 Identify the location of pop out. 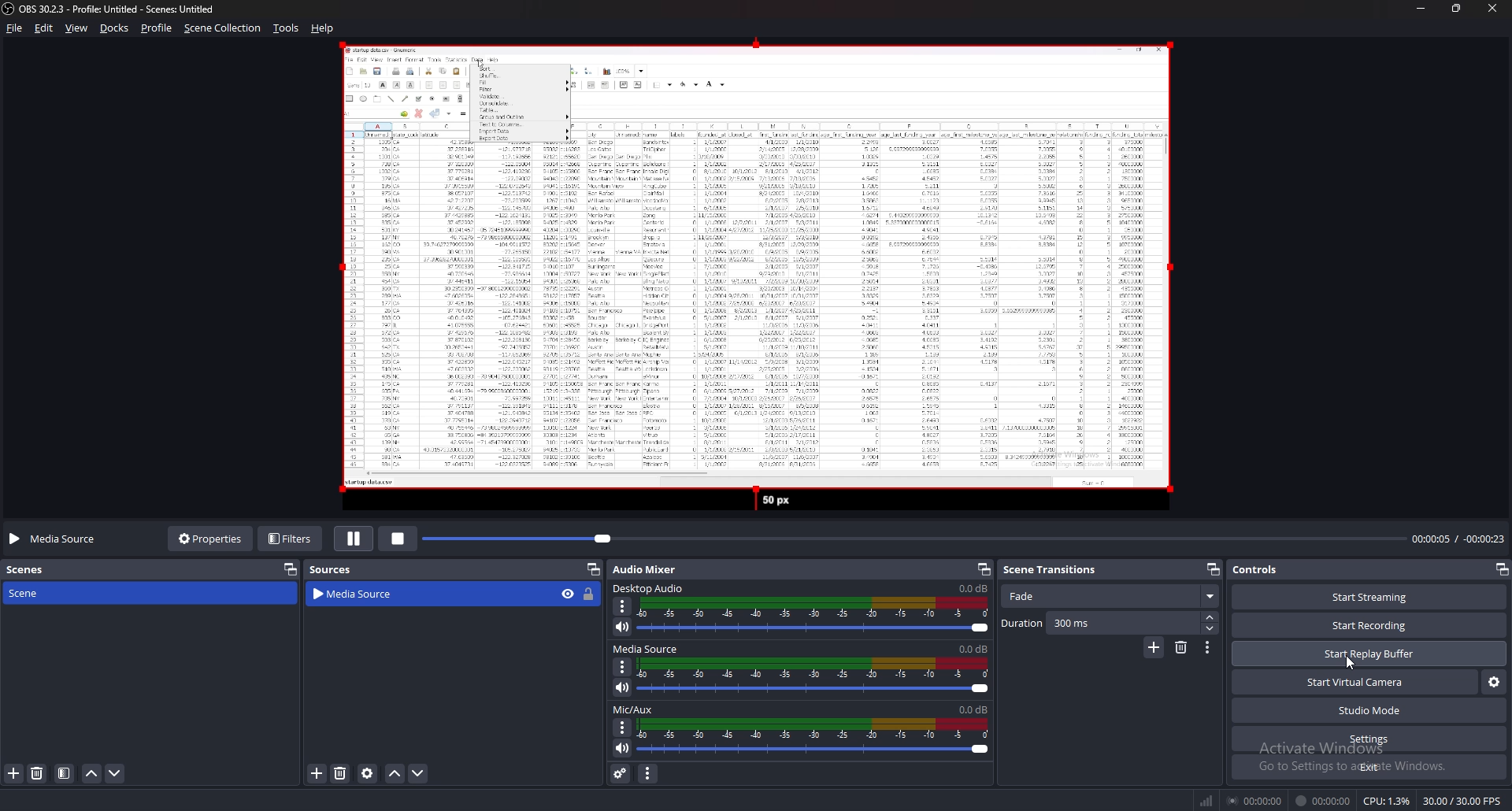
(291, 569).